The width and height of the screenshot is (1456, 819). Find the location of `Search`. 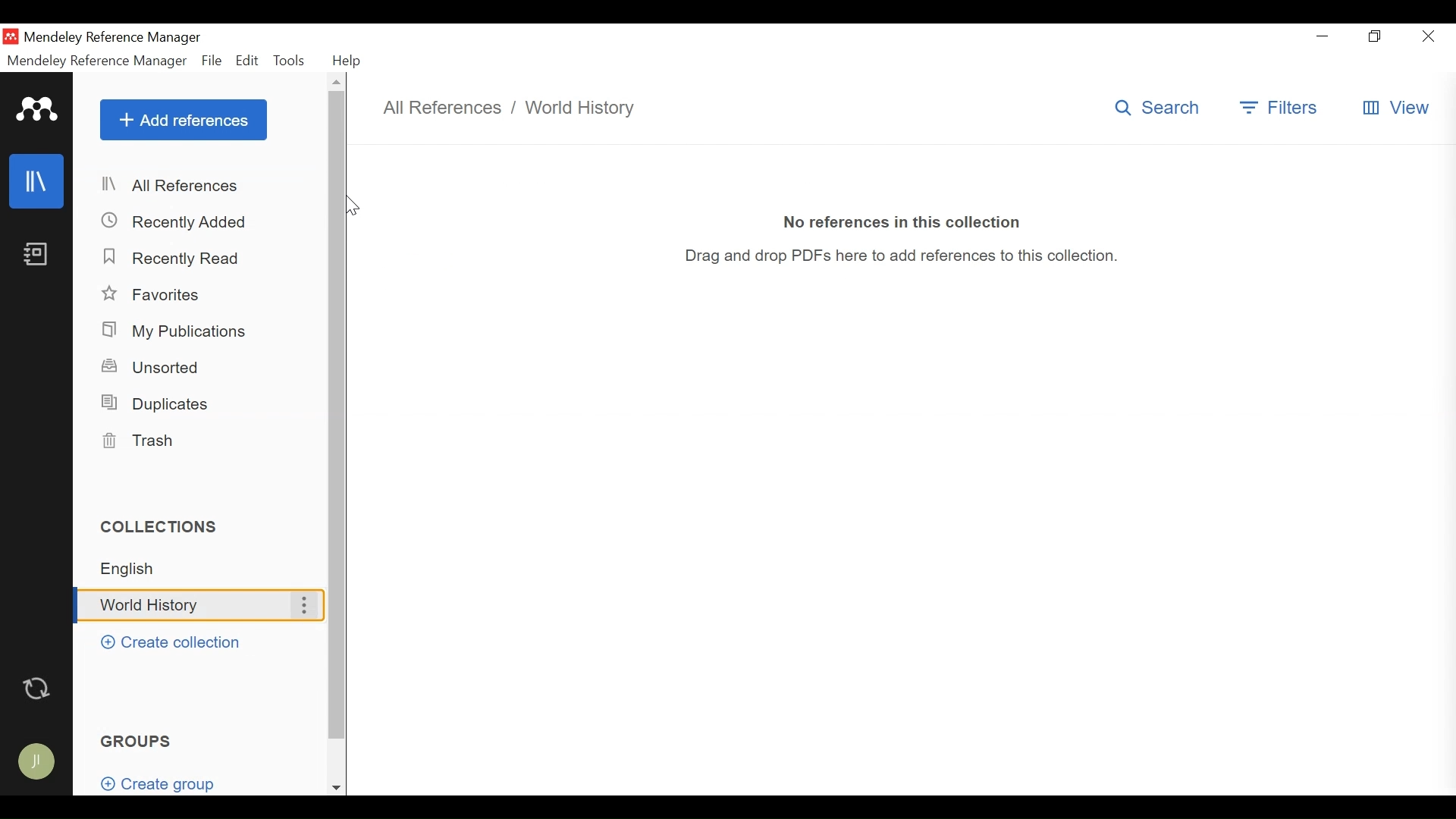

Search is located at coordinates (1163, 107).